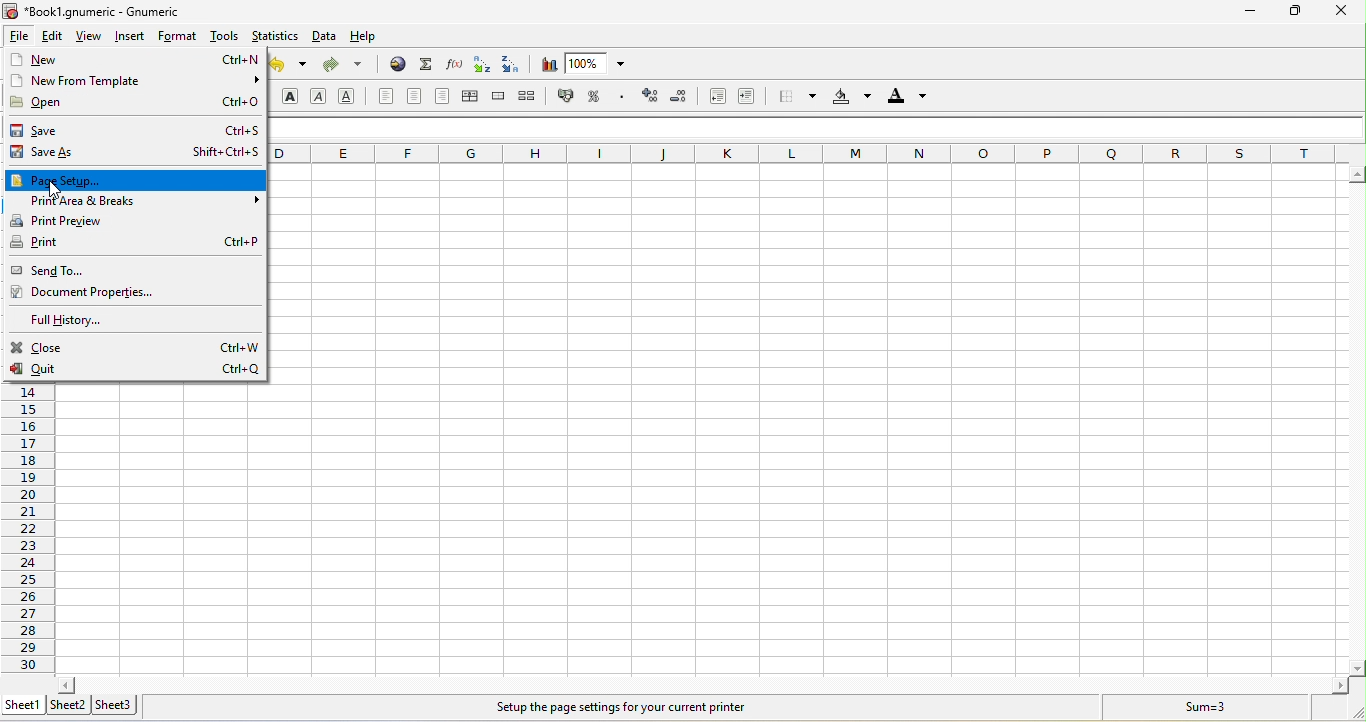 The width and height of the screenshot is (1366, 722). What do you see at coordinates (117, 704) in the screenshot?
I see `sheet 3` at bounding box center [117, 704].